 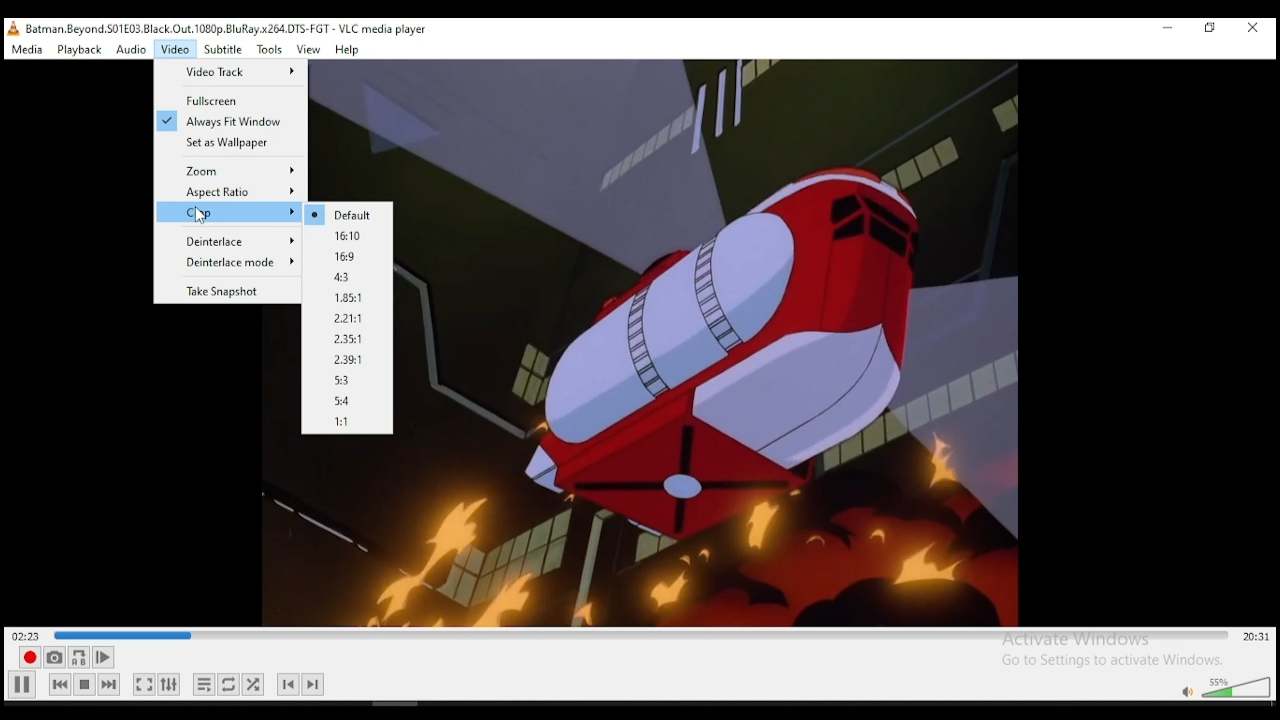 What do you see at coordinates (346, 298) in the screenshot?
I see `1.85:1` at bounding box center [346, 298].